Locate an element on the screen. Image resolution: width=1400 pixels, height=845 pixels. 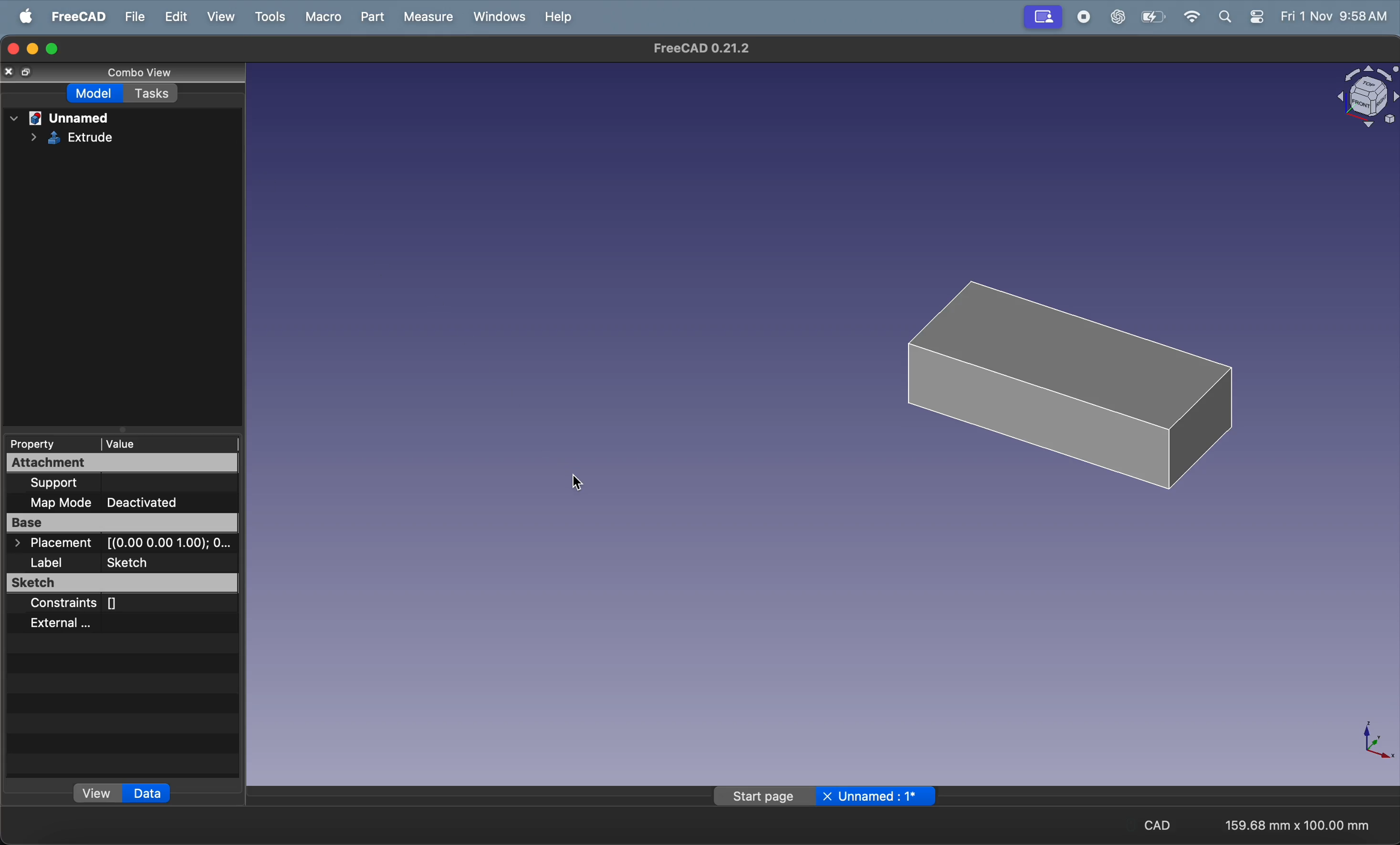
model is located at coordinates (91, 93).